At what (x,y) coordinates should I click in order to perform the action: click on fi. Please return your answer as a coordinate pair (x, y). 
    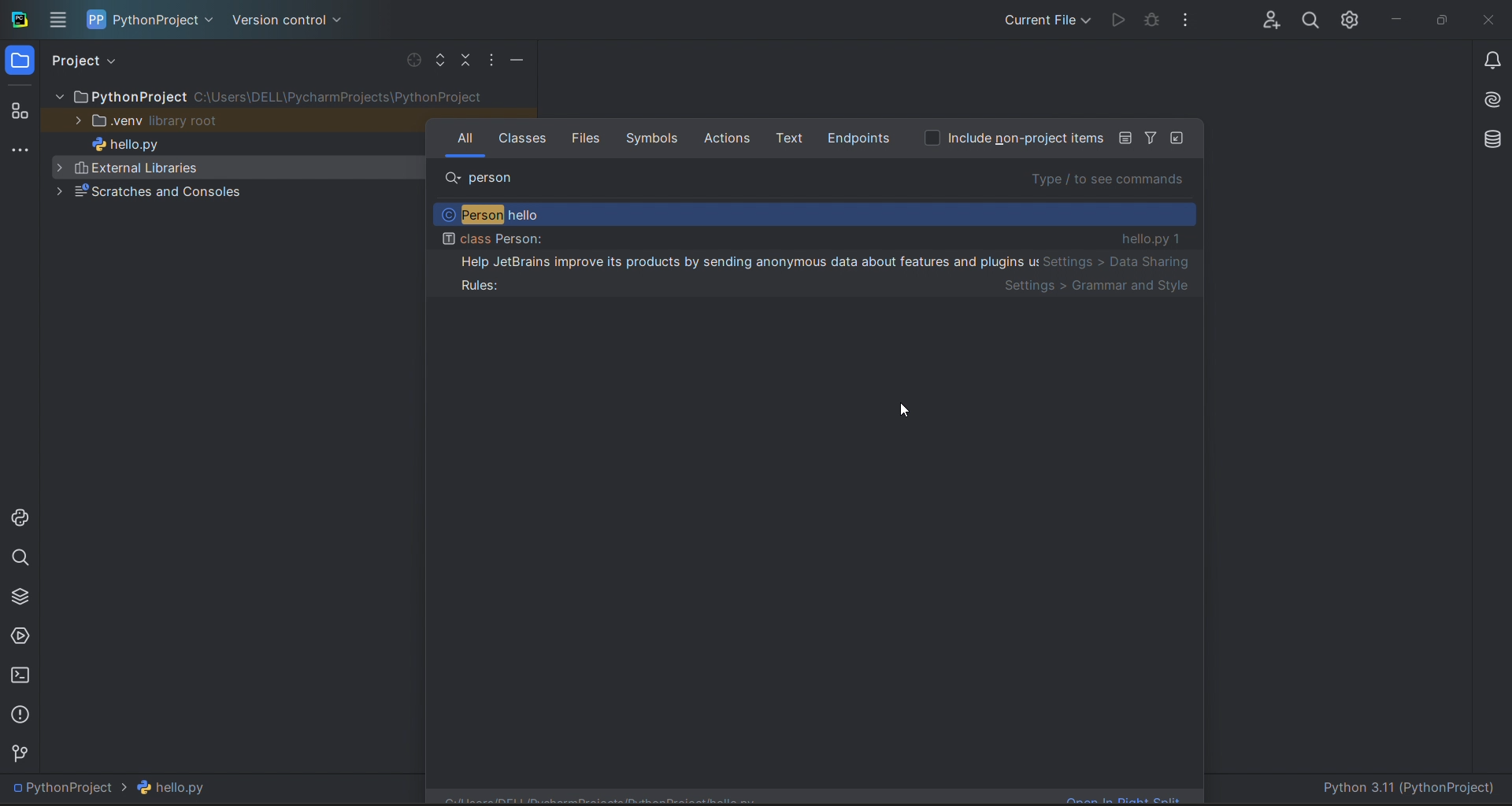
    Looking at the image, I should click on (587, 139).